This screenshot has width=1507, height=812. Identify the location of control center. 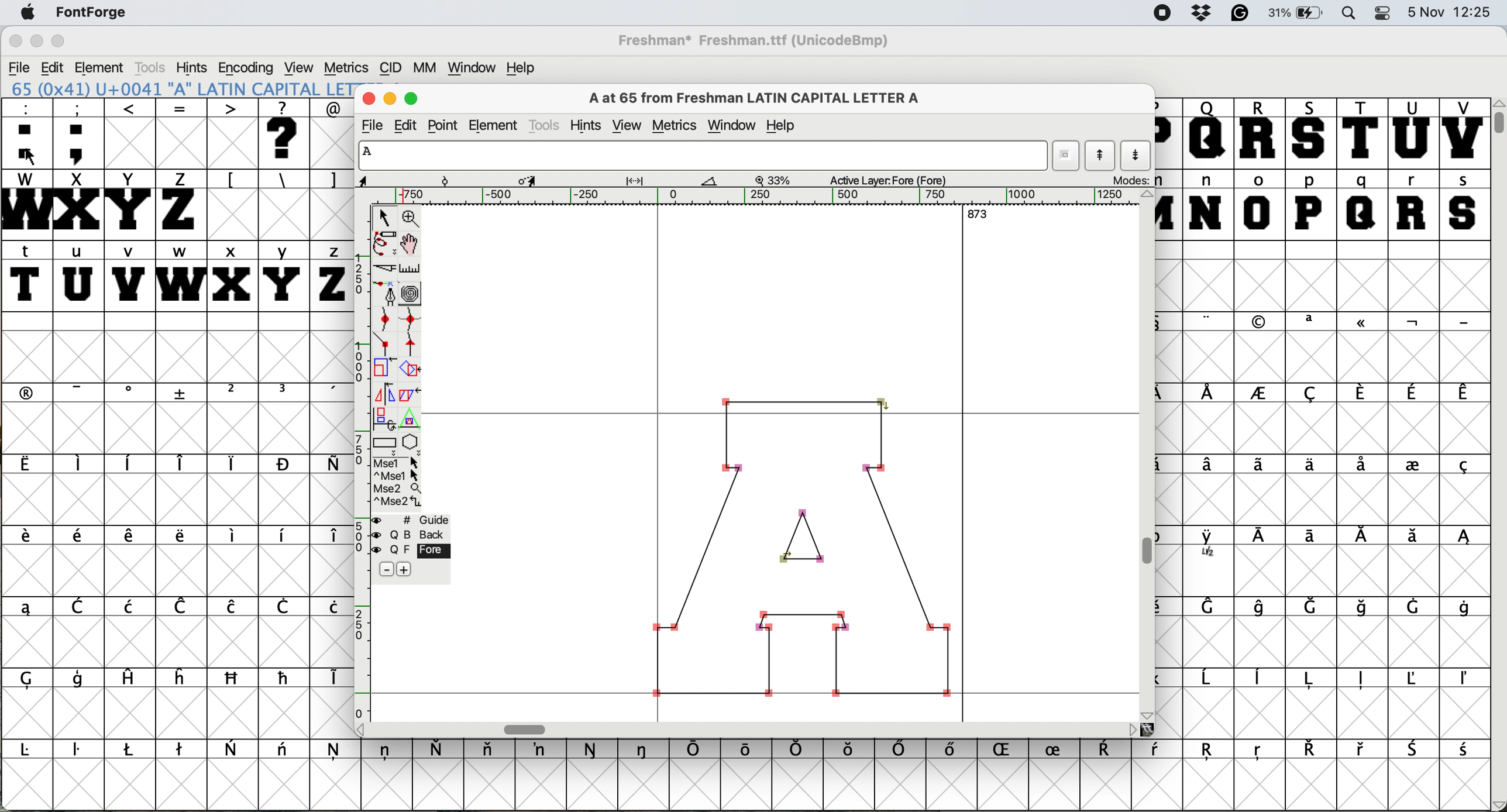
(1384, 14).